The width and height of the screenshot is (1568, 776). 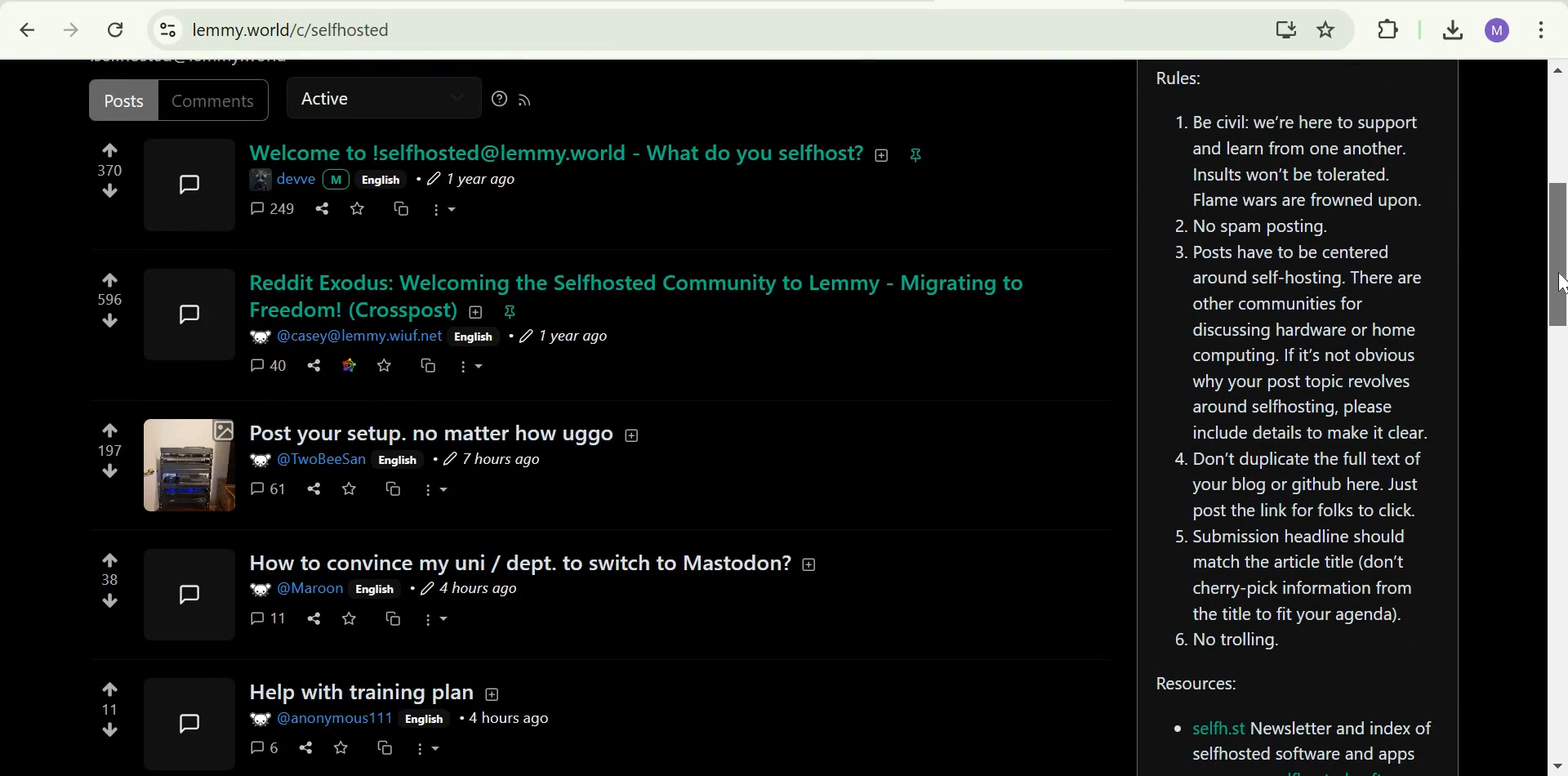 What do you see at coordinates (1286, 28) in the screenshot?
I see `Download Lemmy.World` at bounding box center [1286, 28].